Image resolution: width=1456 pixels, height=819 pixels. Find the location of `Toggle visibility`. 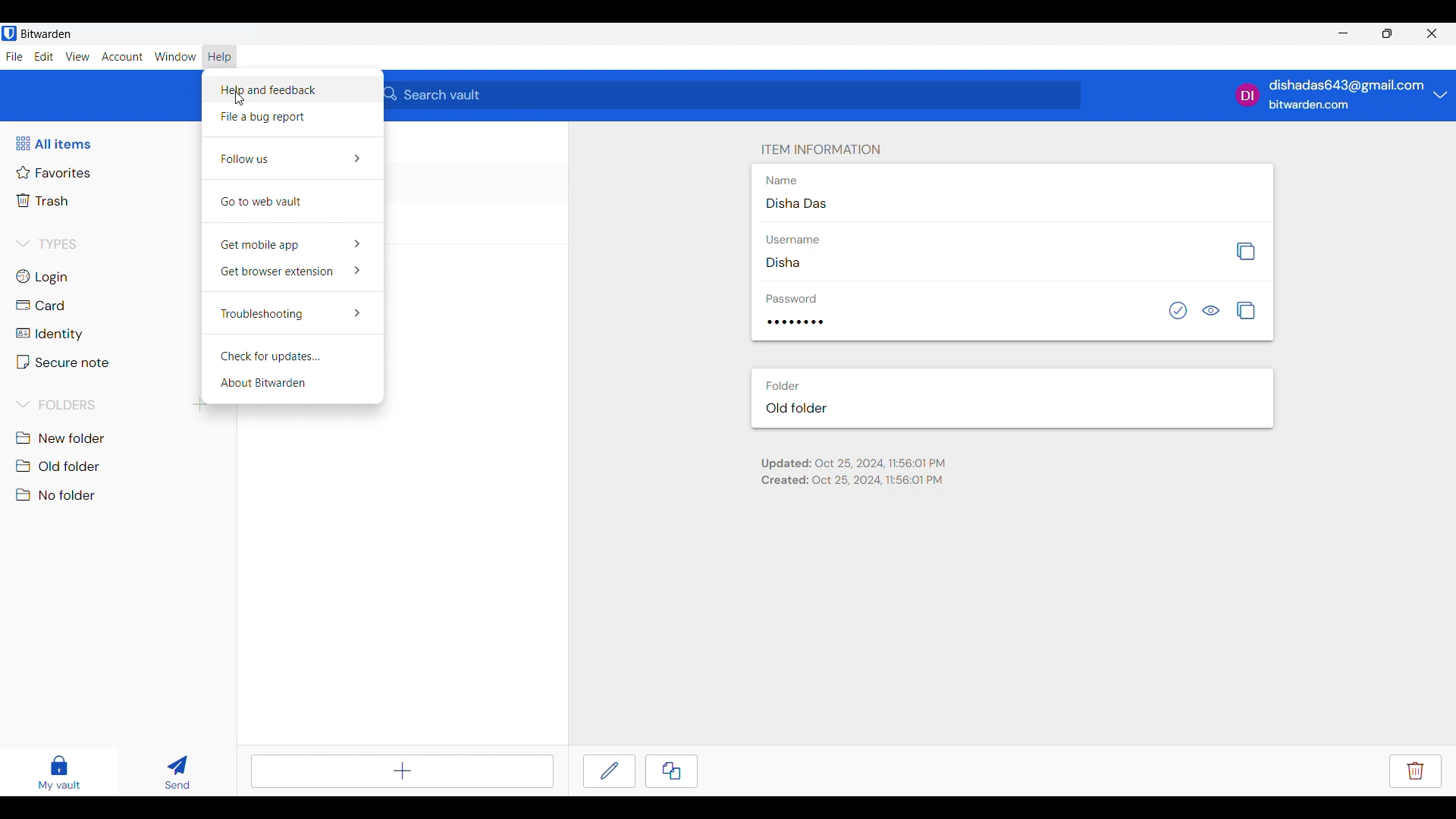

Toggle visibility is located at coordinates (1210, 310).